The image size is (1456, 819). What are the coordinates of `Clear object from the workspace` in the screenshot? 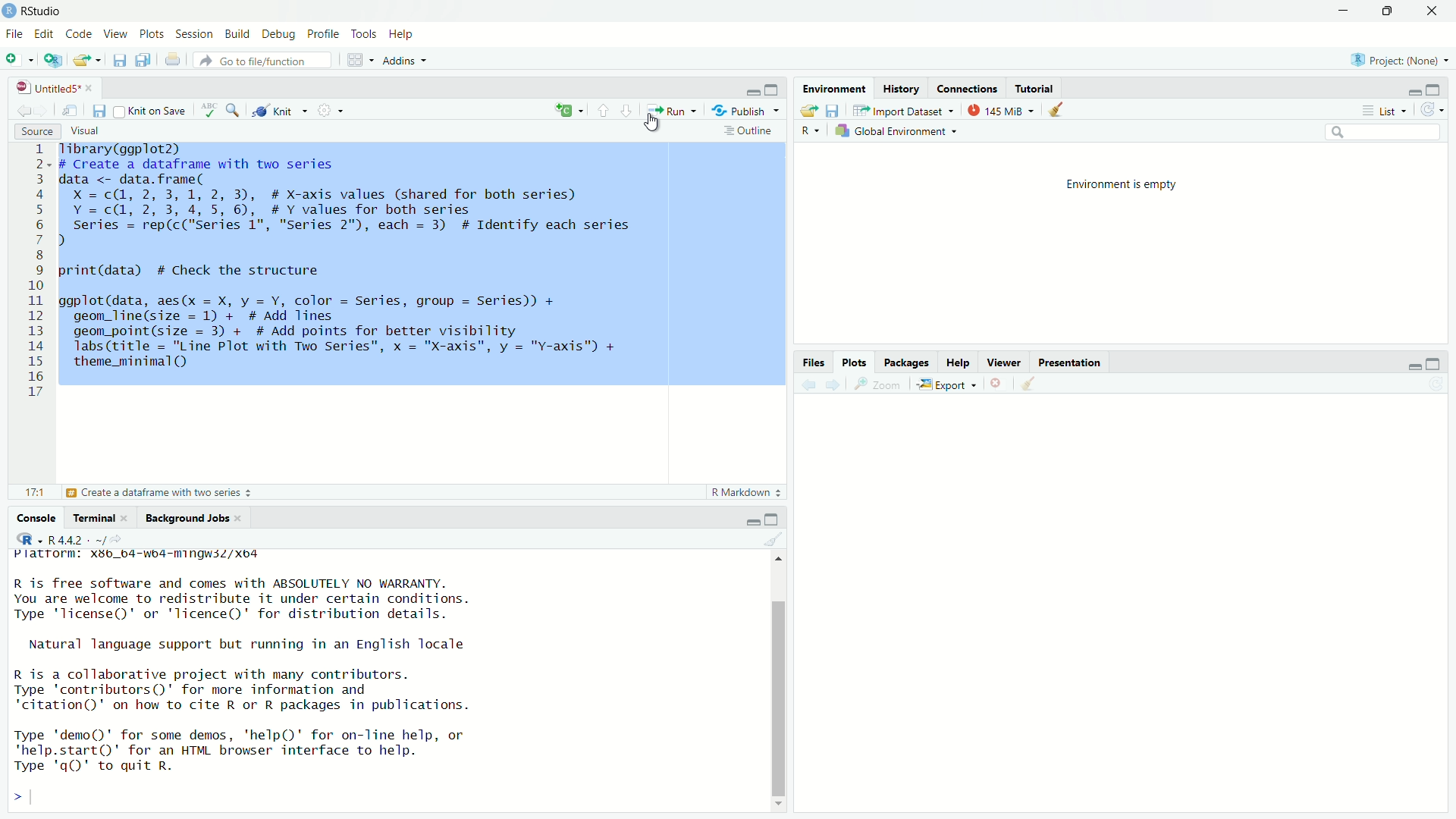 It's located at (1059, 109).